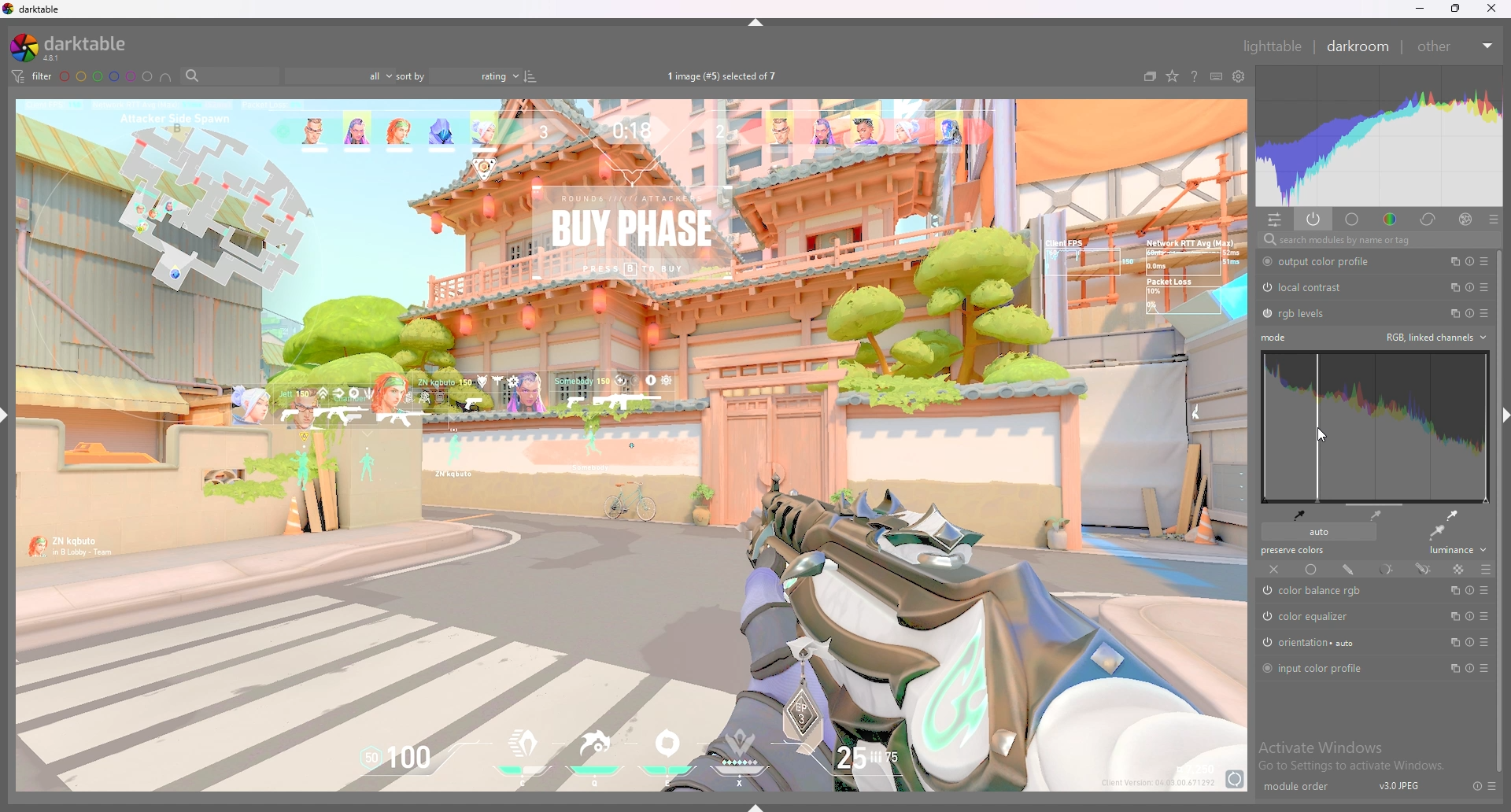  What do you see at coordinates (1424, 568) in the screenshot?
I see `drawn and parametric mask` at bounding box center [1424, 568].